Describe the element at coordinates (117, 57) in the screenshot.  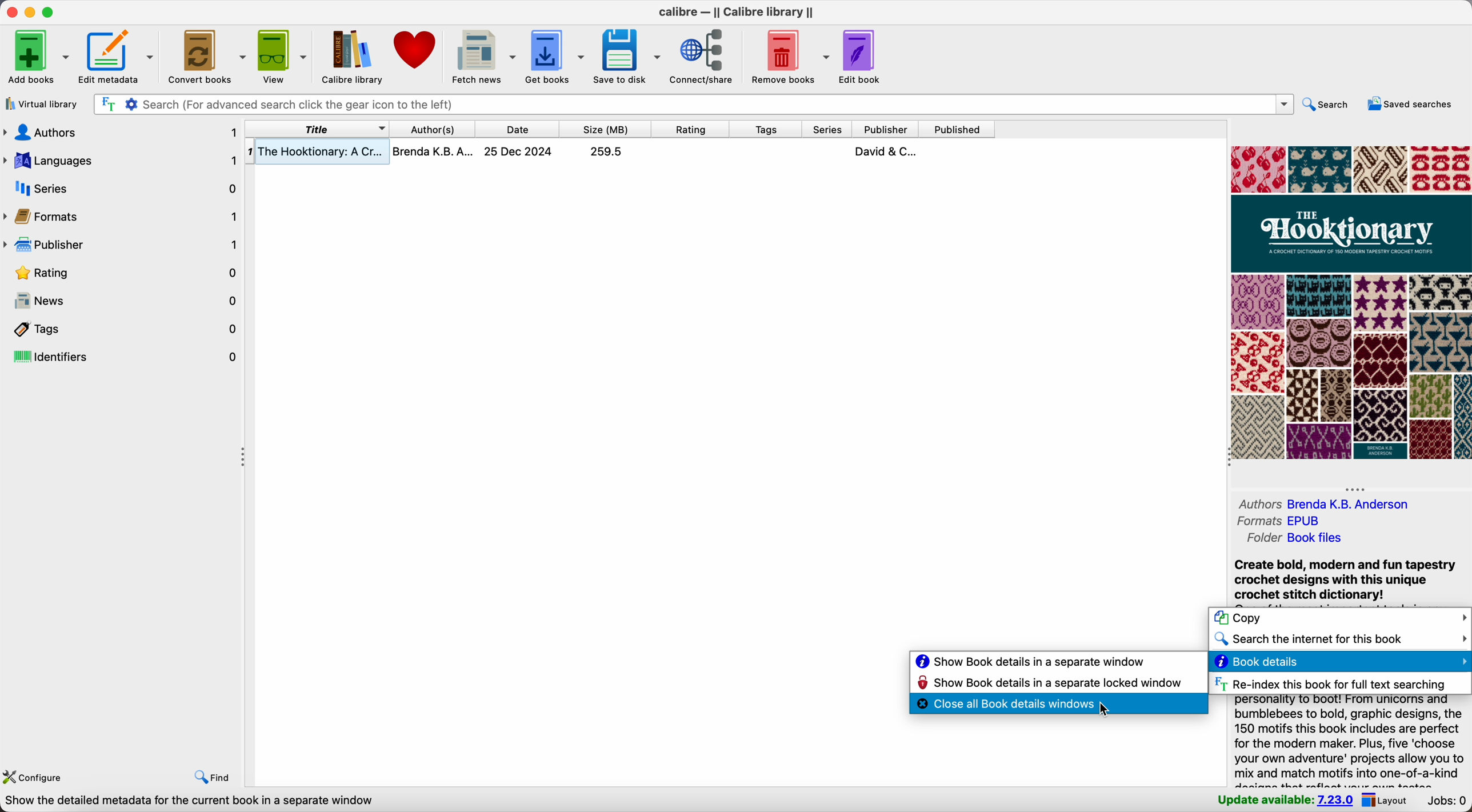
I see `edit metadata` at that location.